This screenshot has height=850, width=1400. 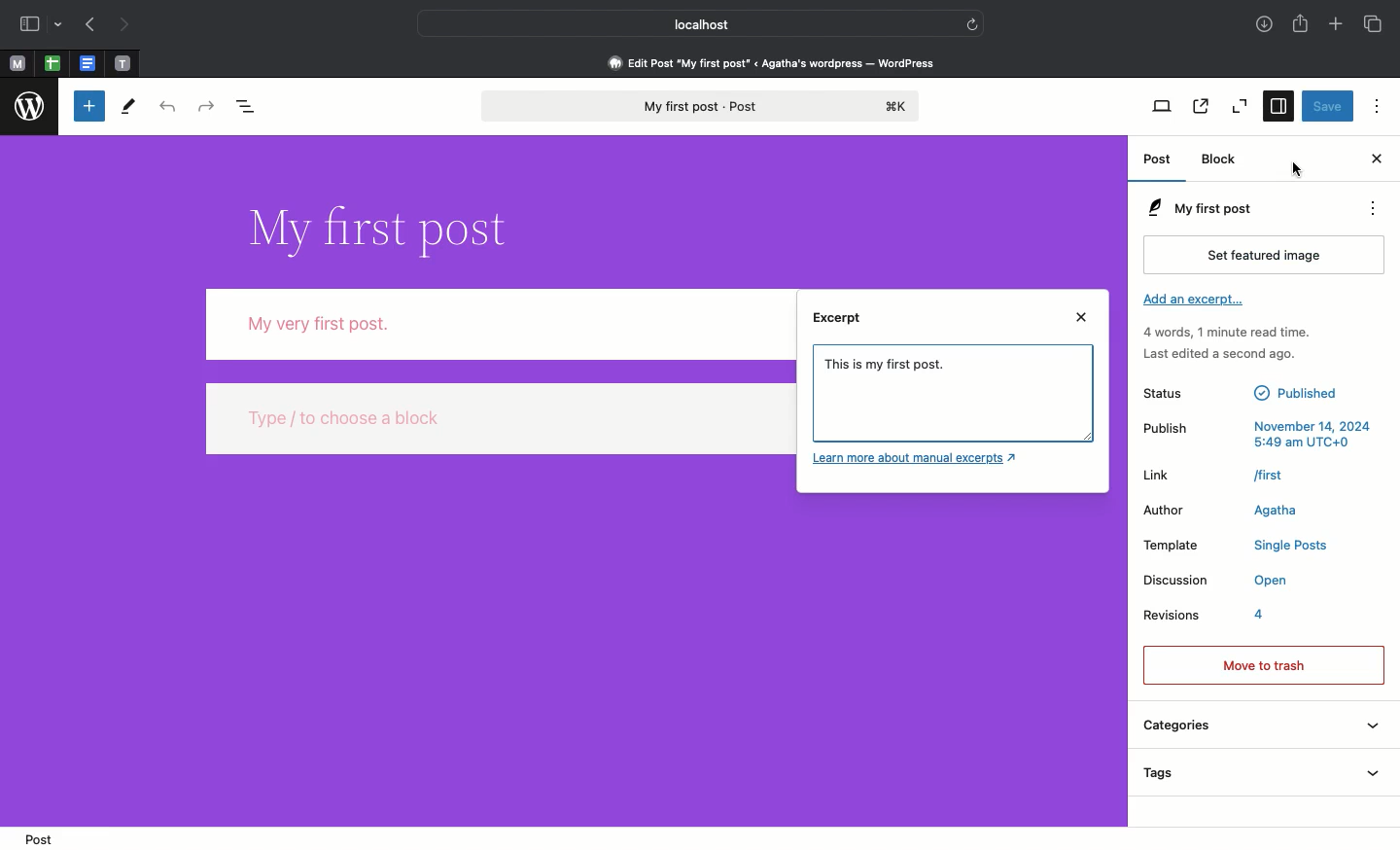 I want to click on Downloads, so click(x=1263, y=25).